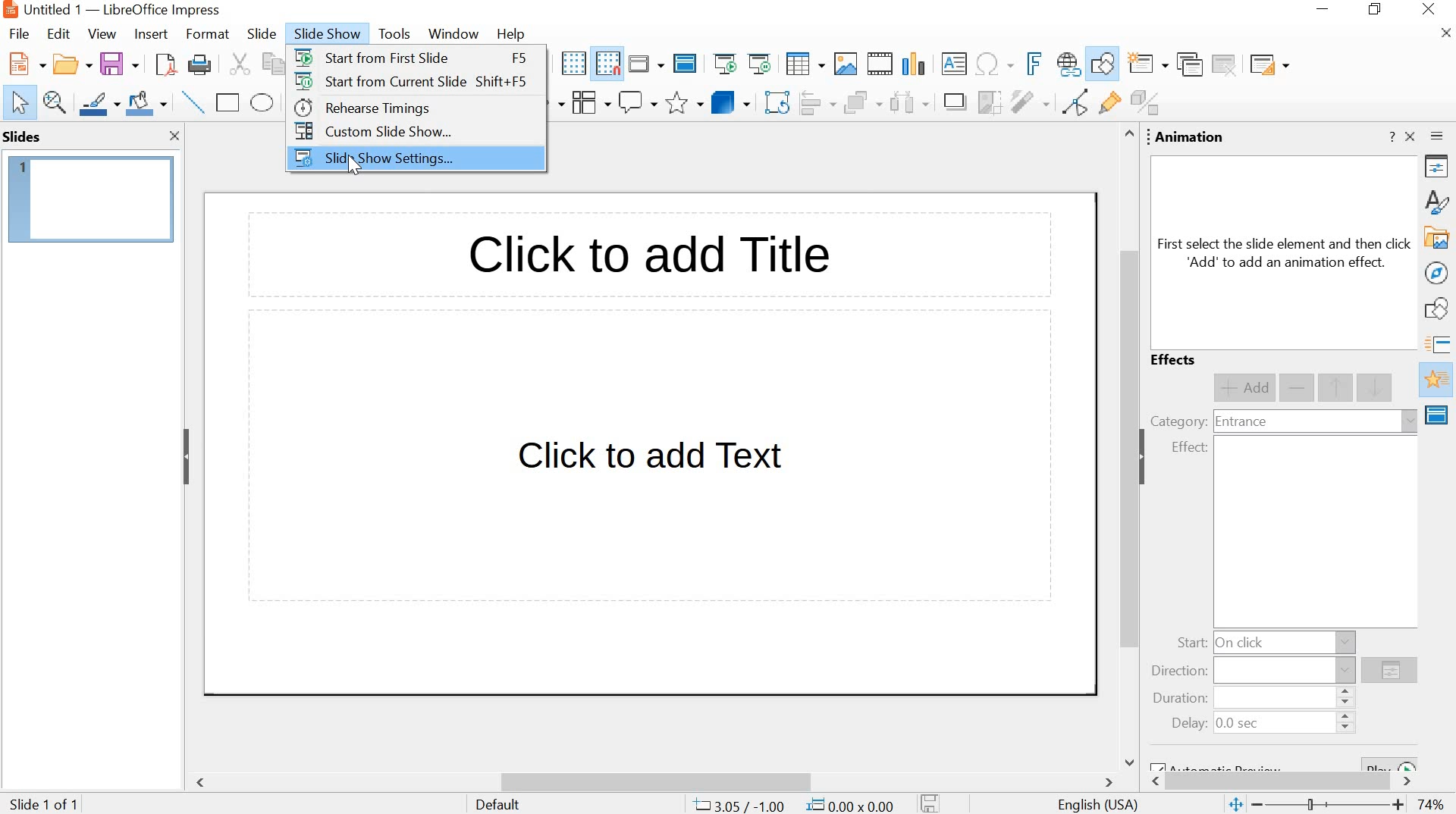 This screenshot has width=1456, height=814. I want to click on zoom and pan, so click(55, 102).